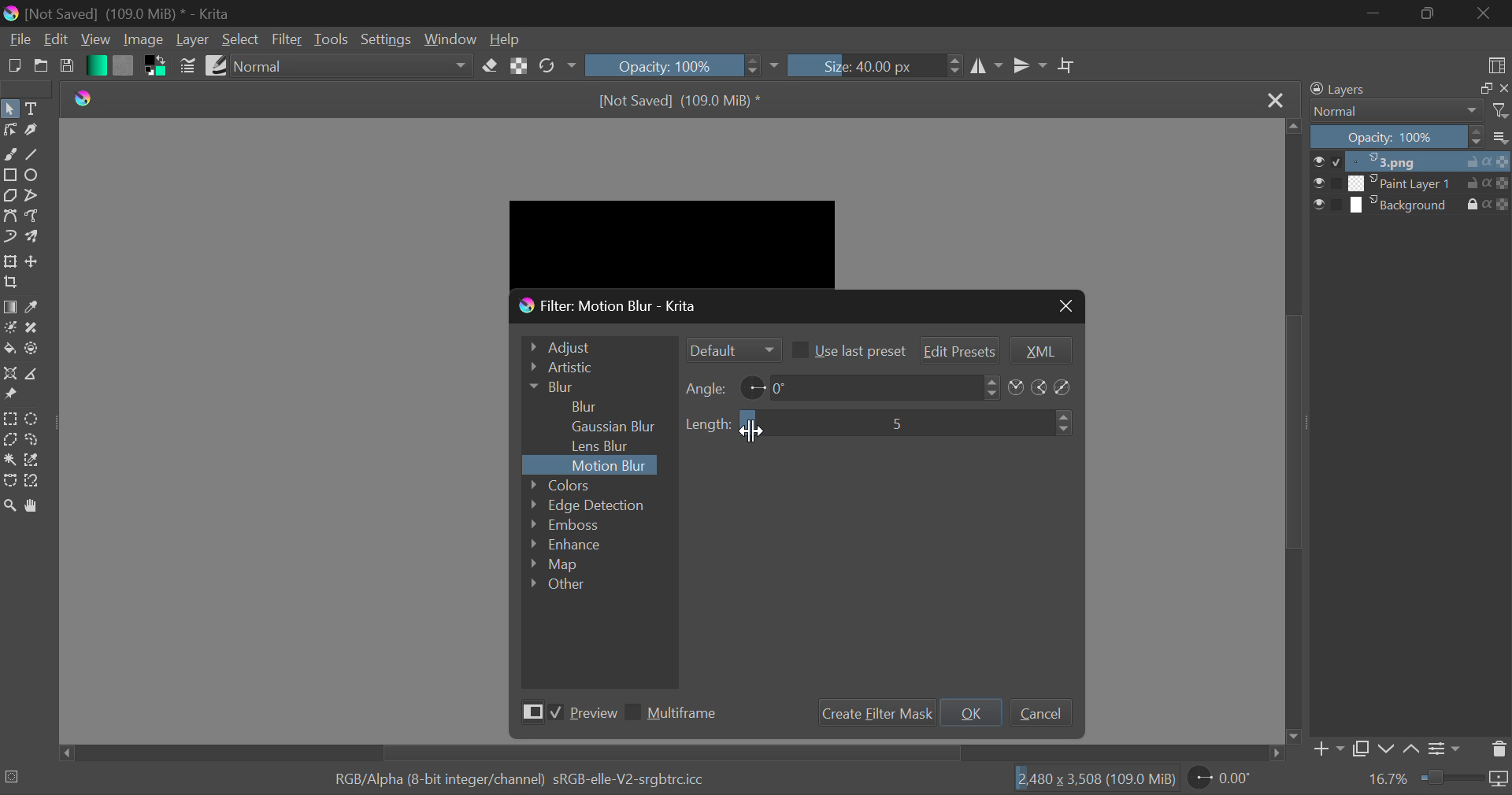  What do you see at coordinates (189, 66) in the screenshot?
I see `Brush Settings` at bounding box center [189, 66].